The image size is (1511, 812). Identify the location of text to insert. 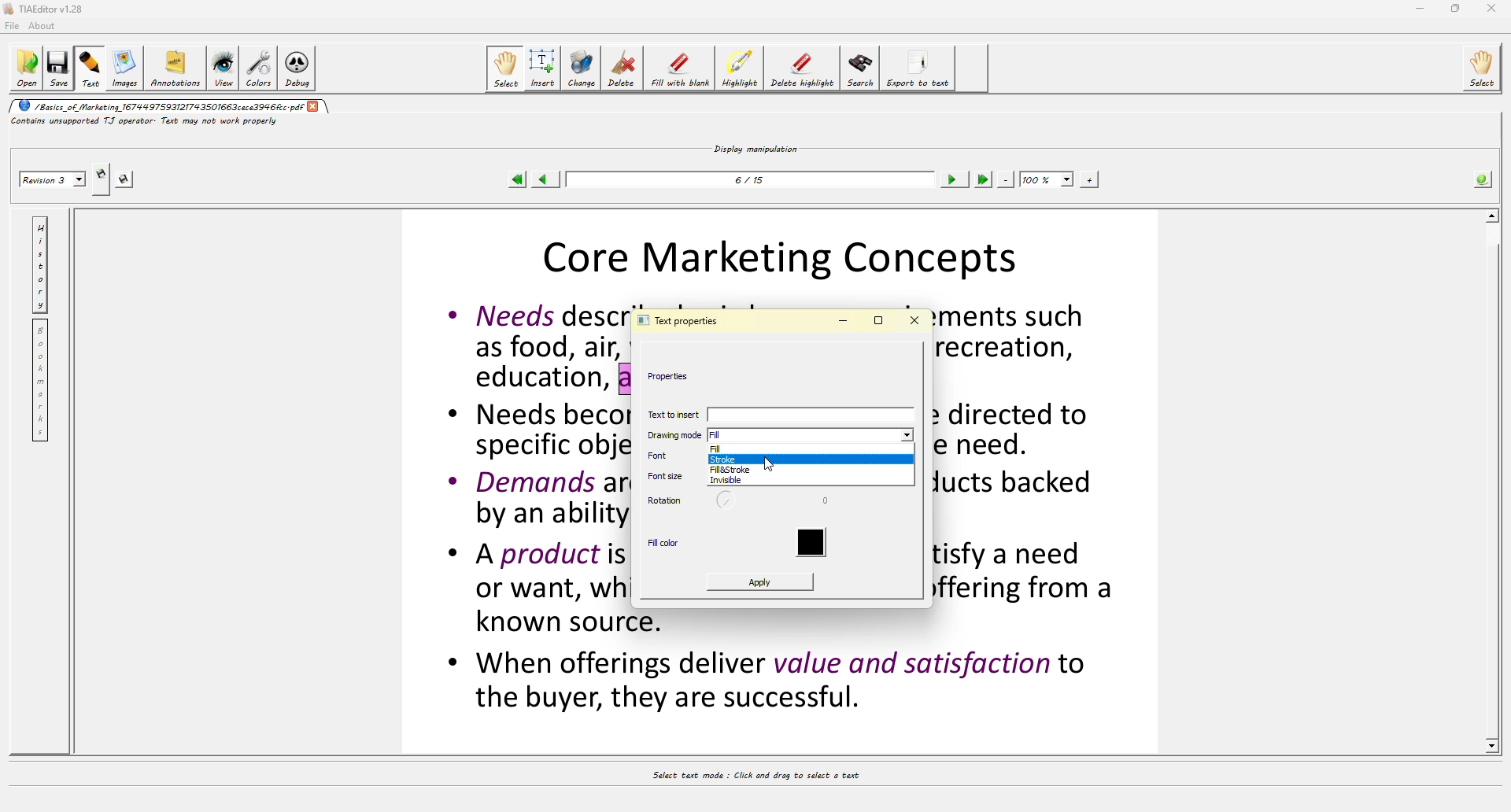
(672, 413).